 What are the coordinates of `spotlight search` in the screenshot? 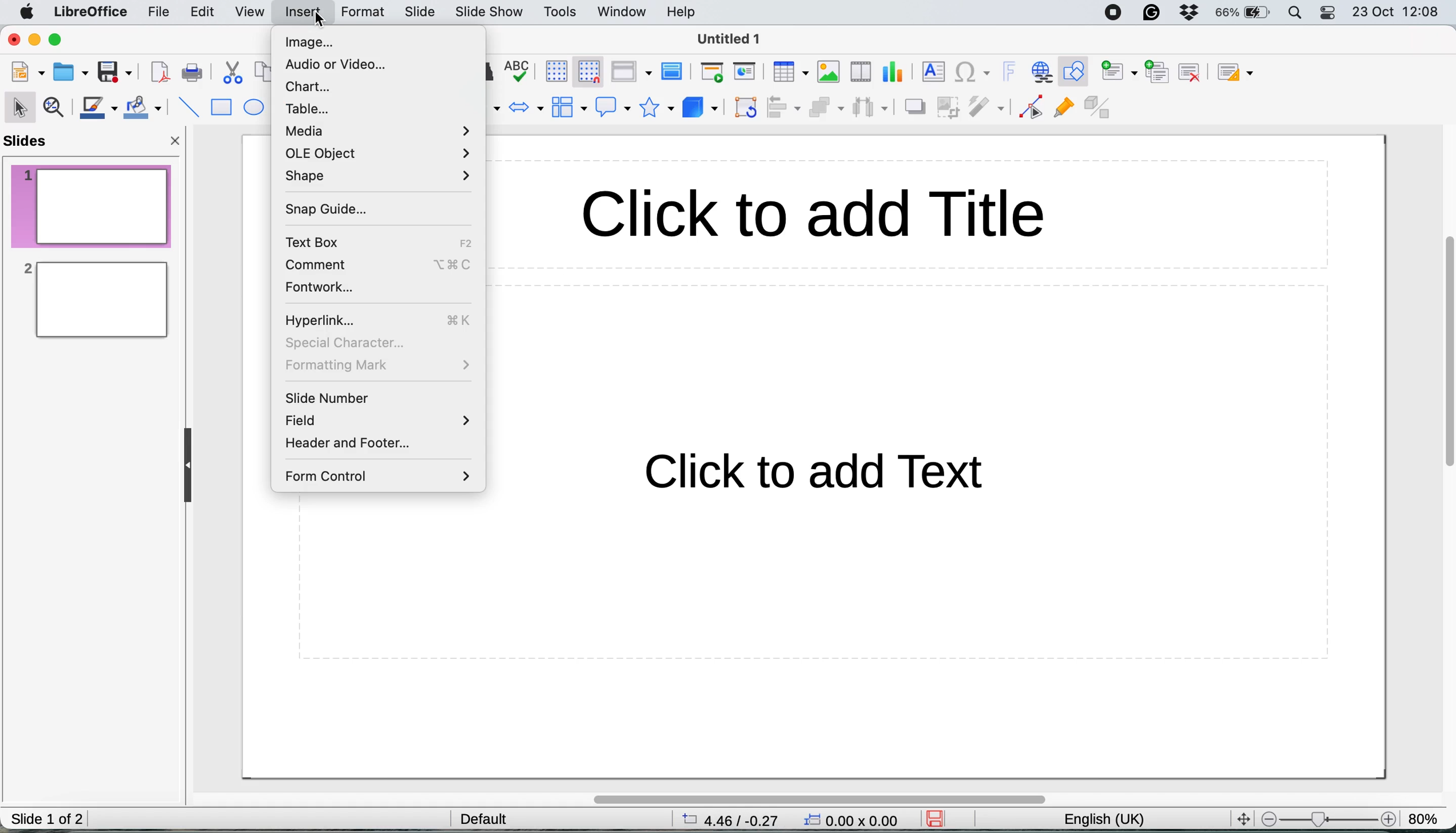 It's located at (1296, 13).